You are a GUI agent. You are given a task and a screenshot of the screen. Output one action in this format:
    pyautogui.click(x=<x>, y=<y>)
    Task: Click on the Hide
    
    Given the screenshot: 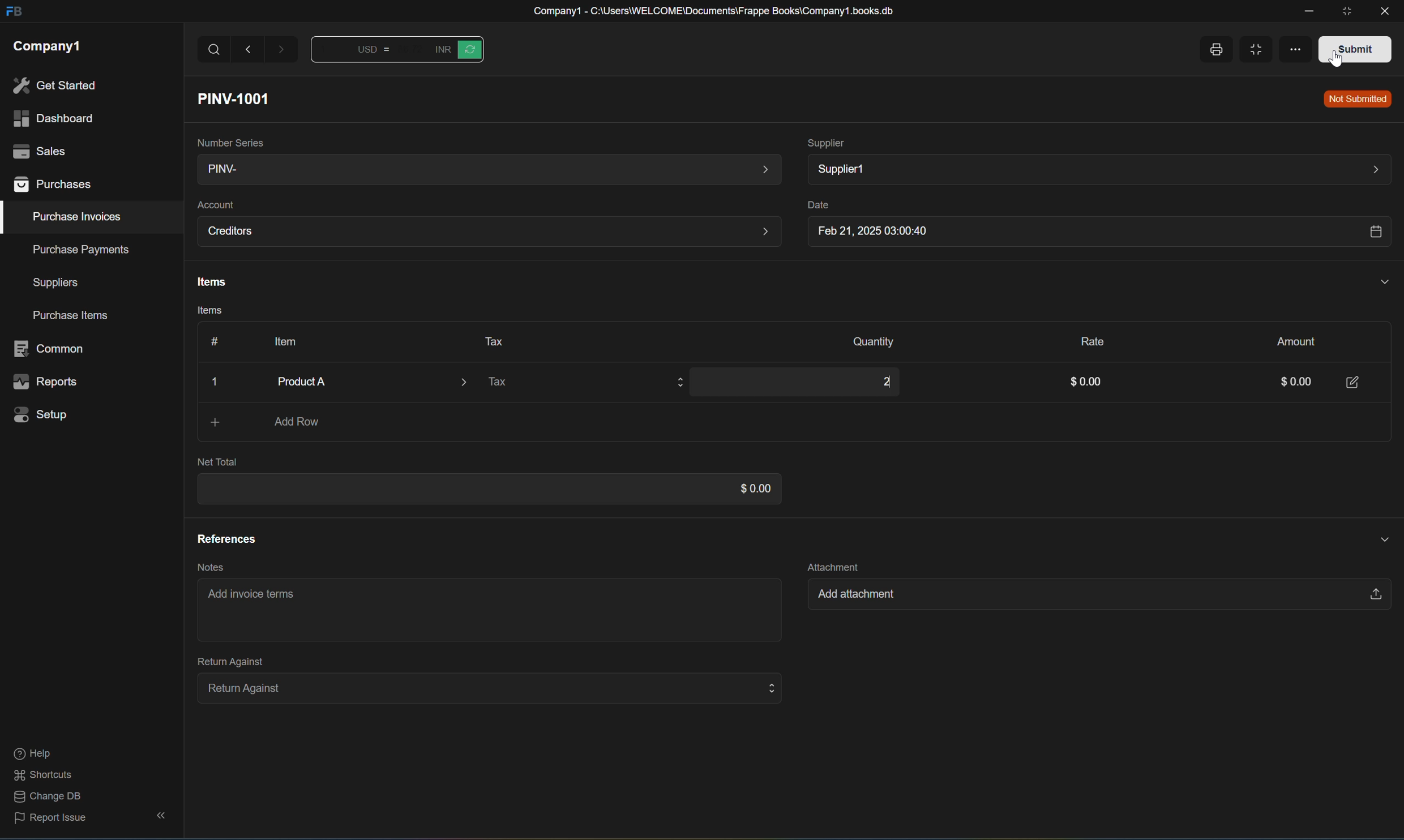 What is the action you would take?
    pyautogui.click(x=1381, y=281)
    